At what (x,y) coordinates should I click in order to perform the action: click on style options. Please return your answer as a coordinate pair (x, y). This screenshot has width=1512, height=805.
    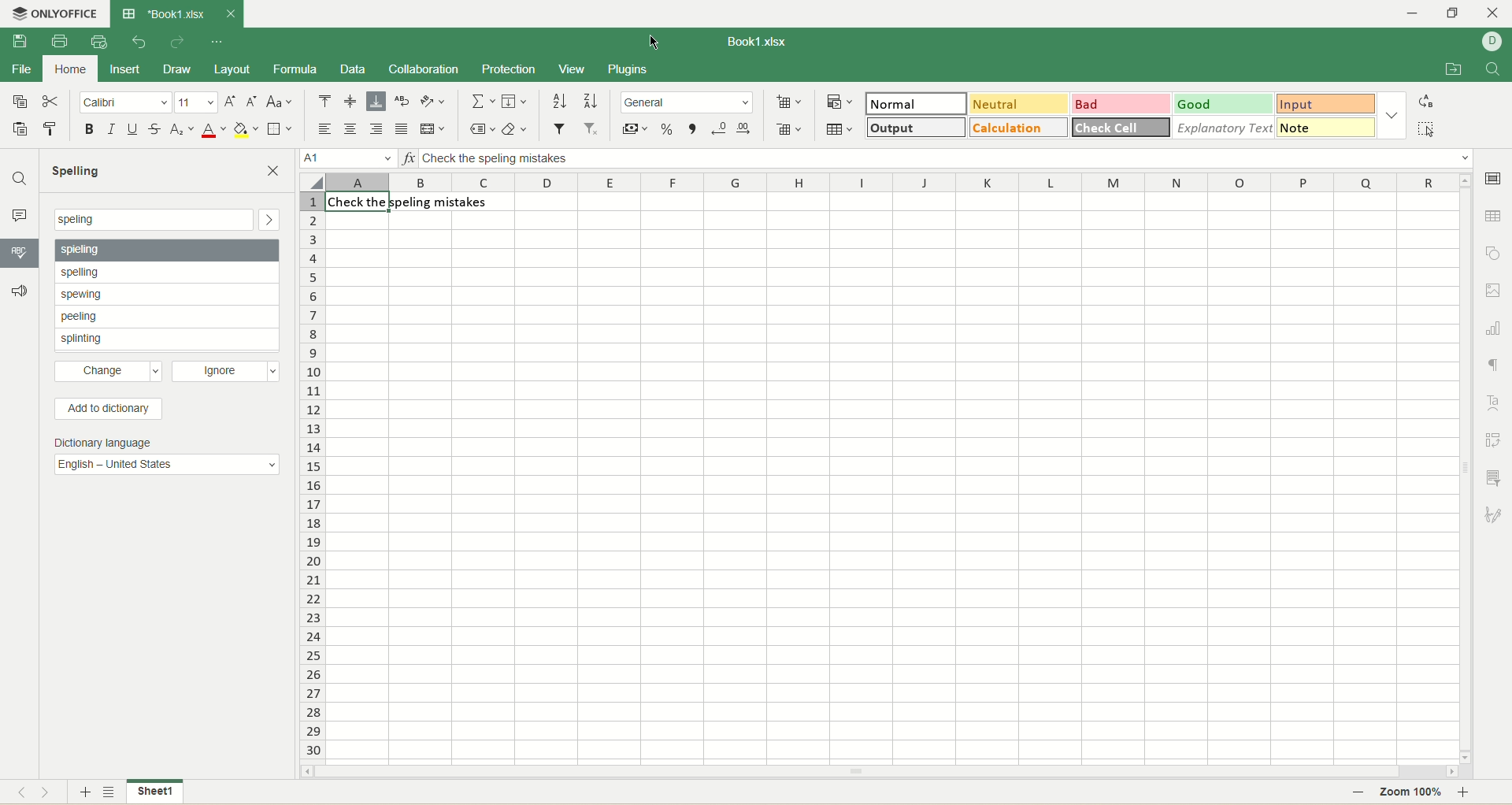
    Looking at the image, I should click on (1391, 118).